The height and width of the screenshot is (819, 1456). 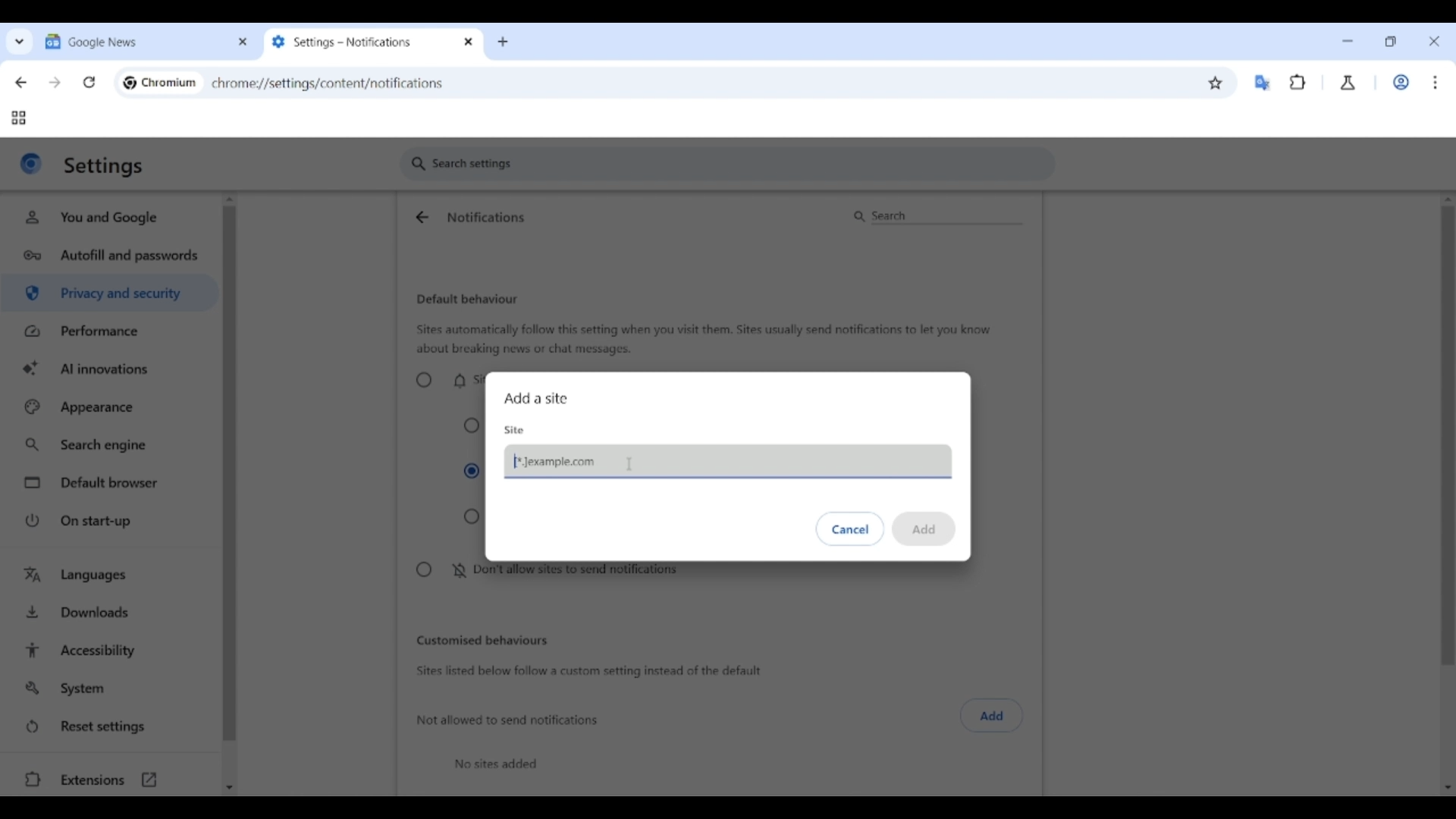 I want to click on Accessibility, so click(x=111, y=651).